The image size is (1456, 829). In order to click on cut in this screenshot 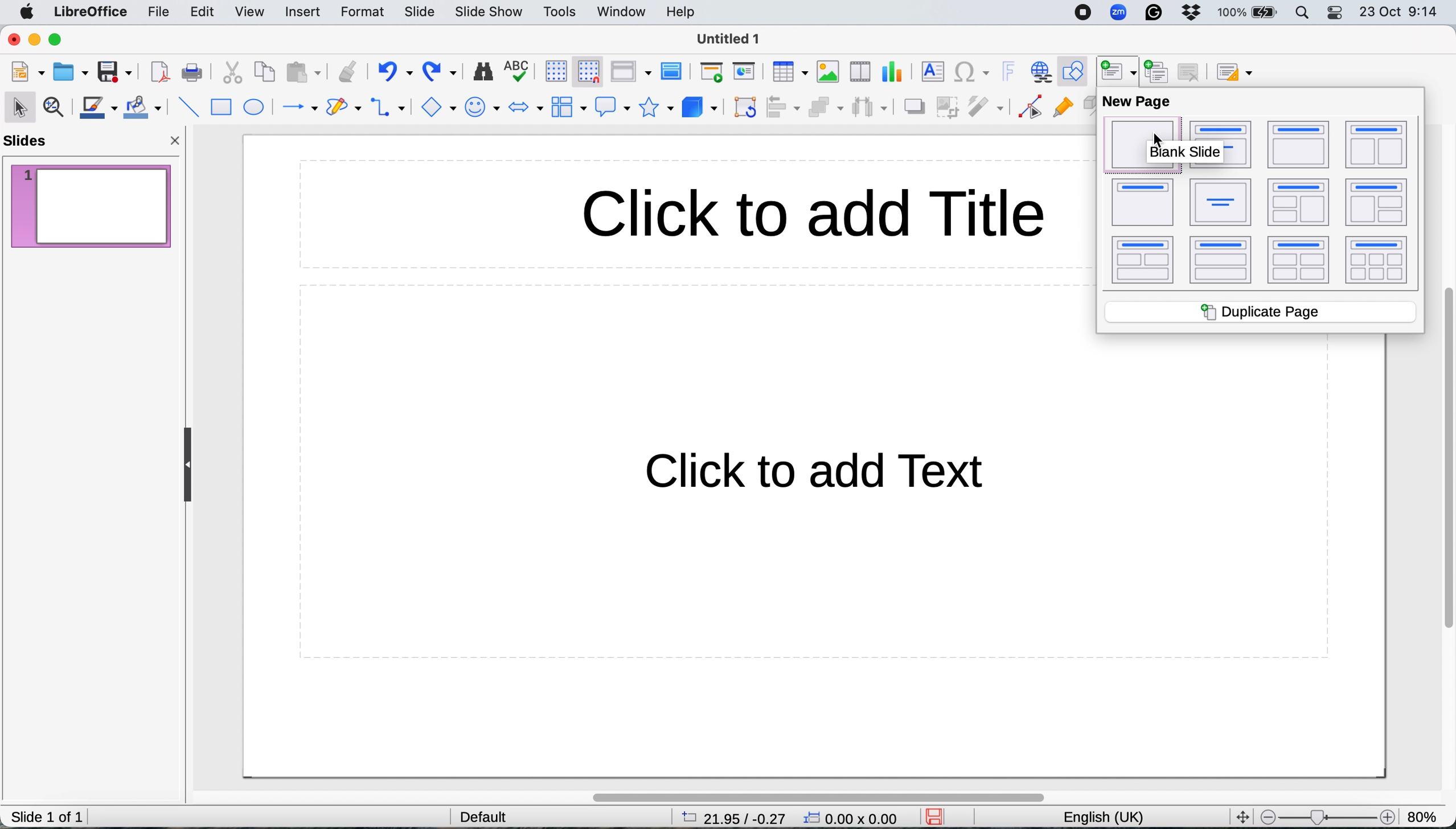, I will do `click(232, 74)`.